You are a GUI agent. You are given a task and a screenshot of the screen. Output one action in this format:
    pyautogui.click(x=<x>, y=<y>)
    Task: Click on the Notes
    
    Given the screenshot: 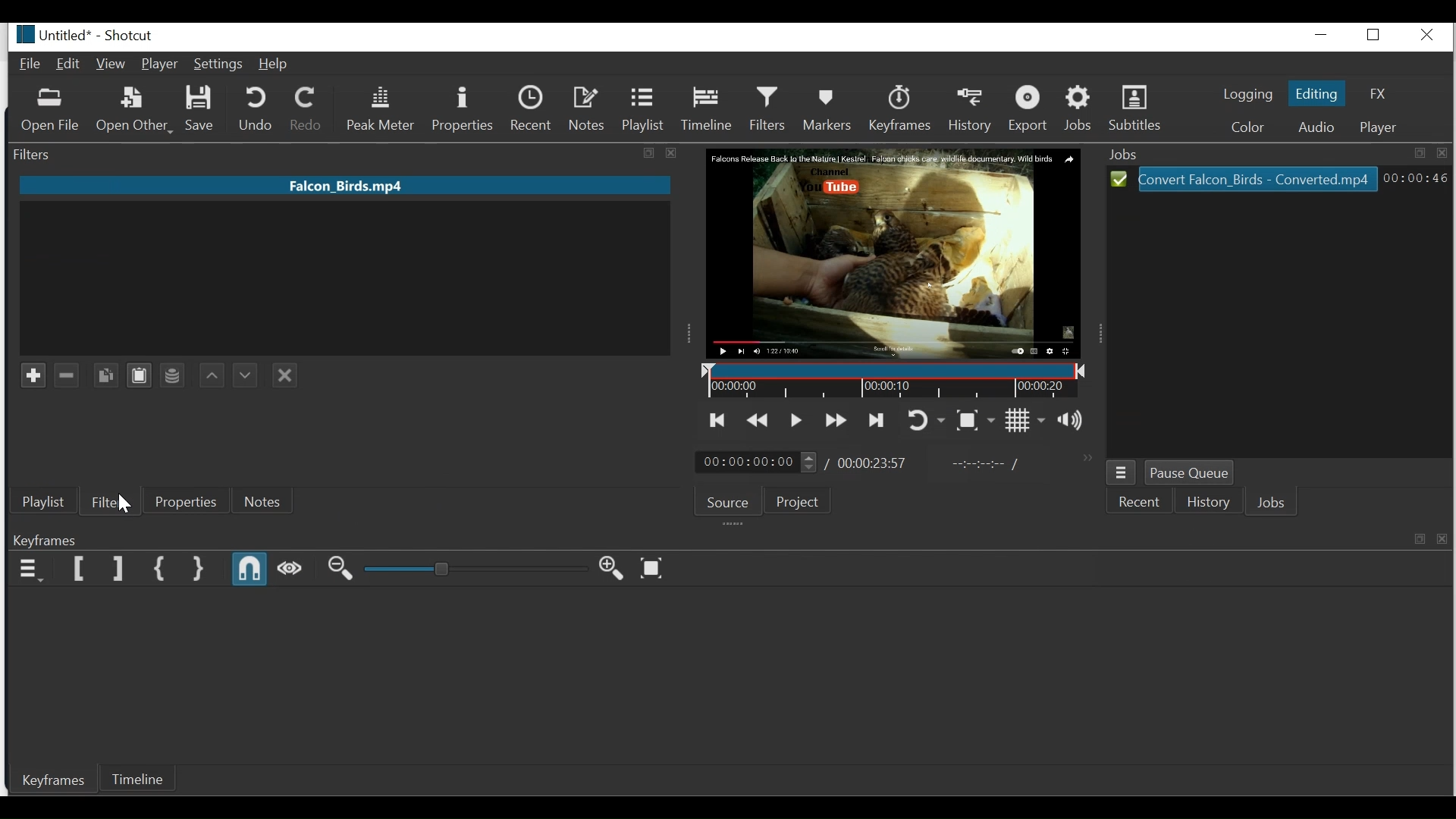 What is the action you would take?
    pyautogui.click(x=586, y=108)
    